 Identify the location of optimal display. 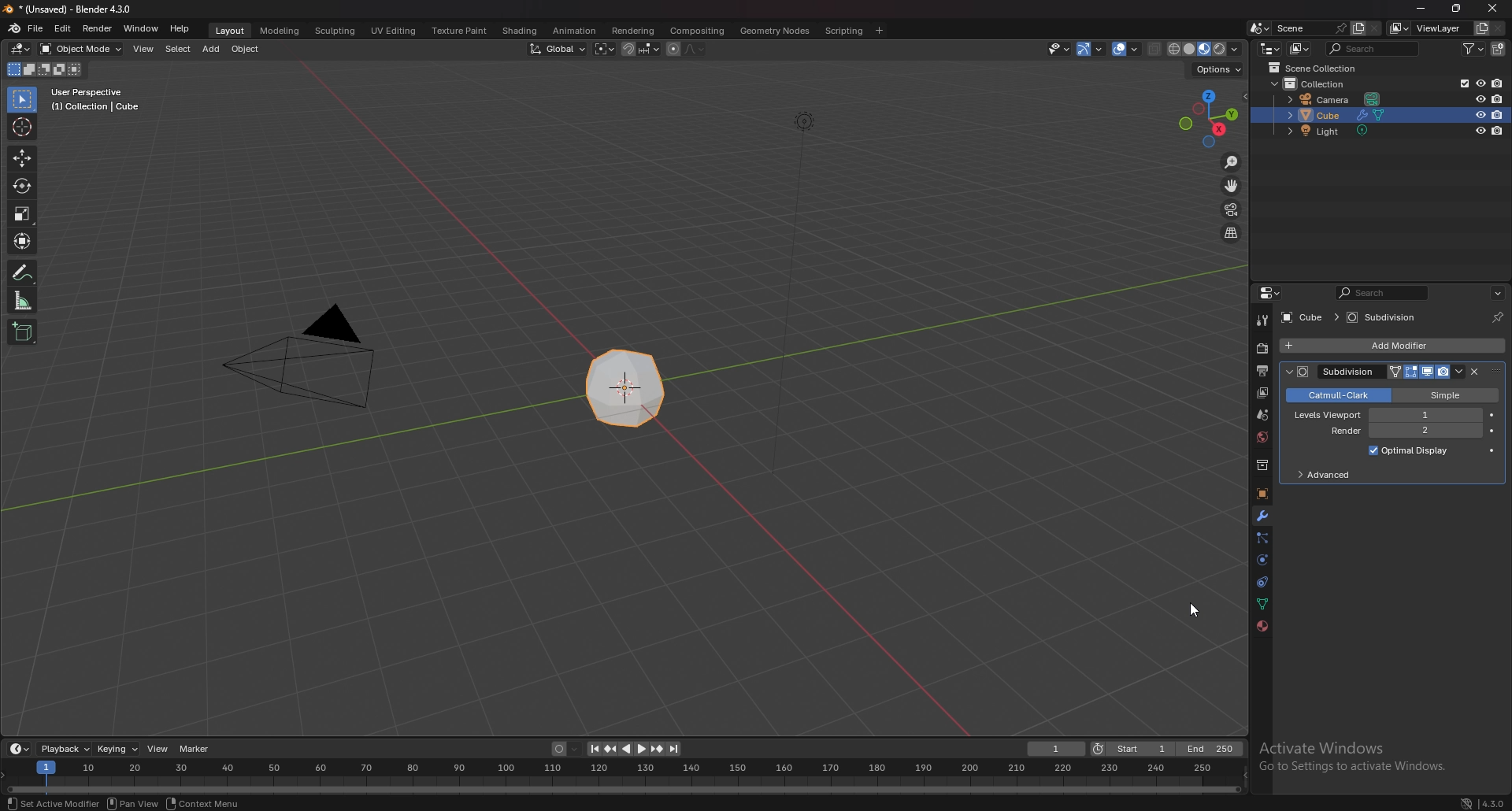
(1409, 450).